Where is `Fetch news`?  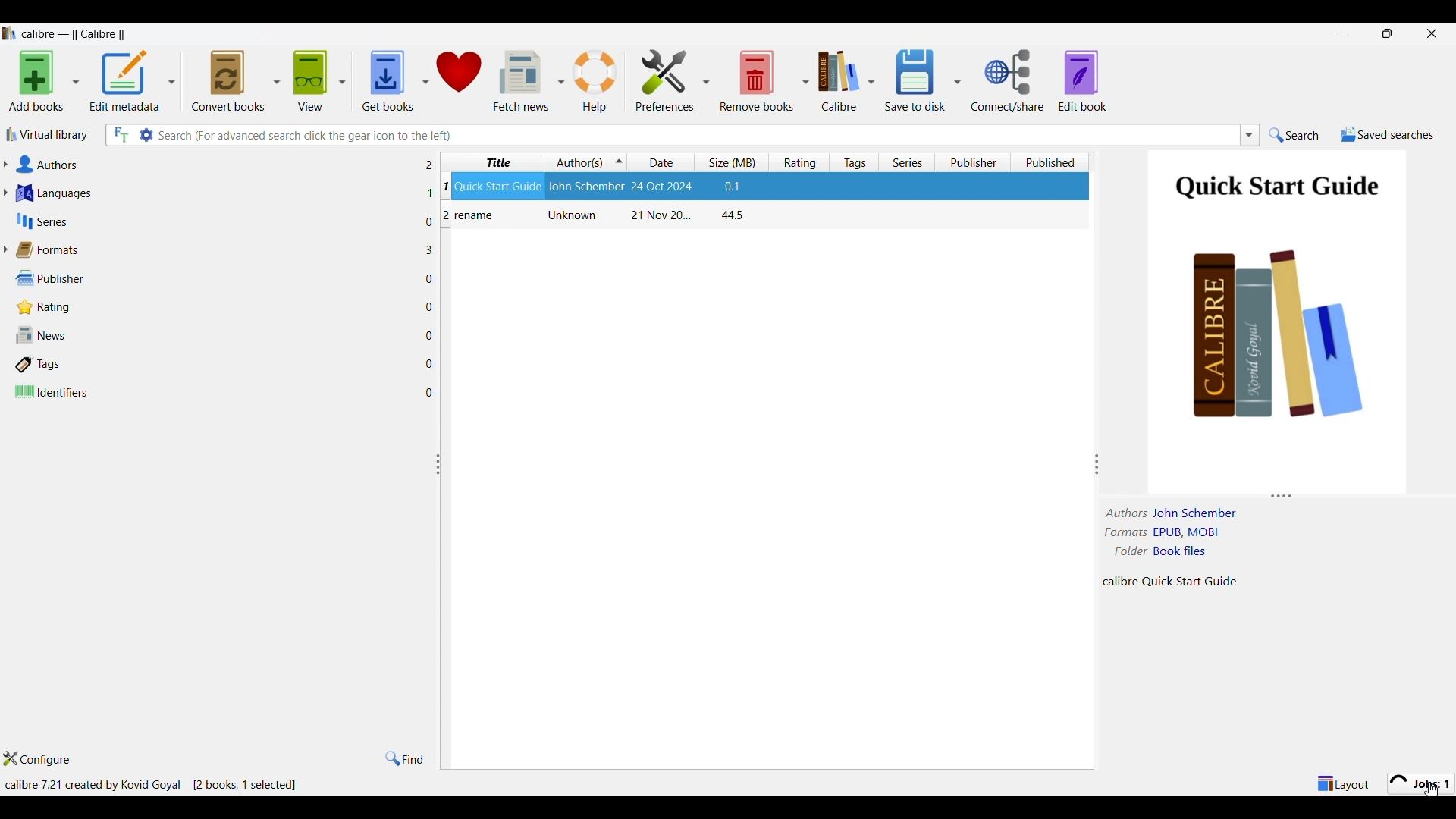 Fetch news is located at coordinates (519, 81).